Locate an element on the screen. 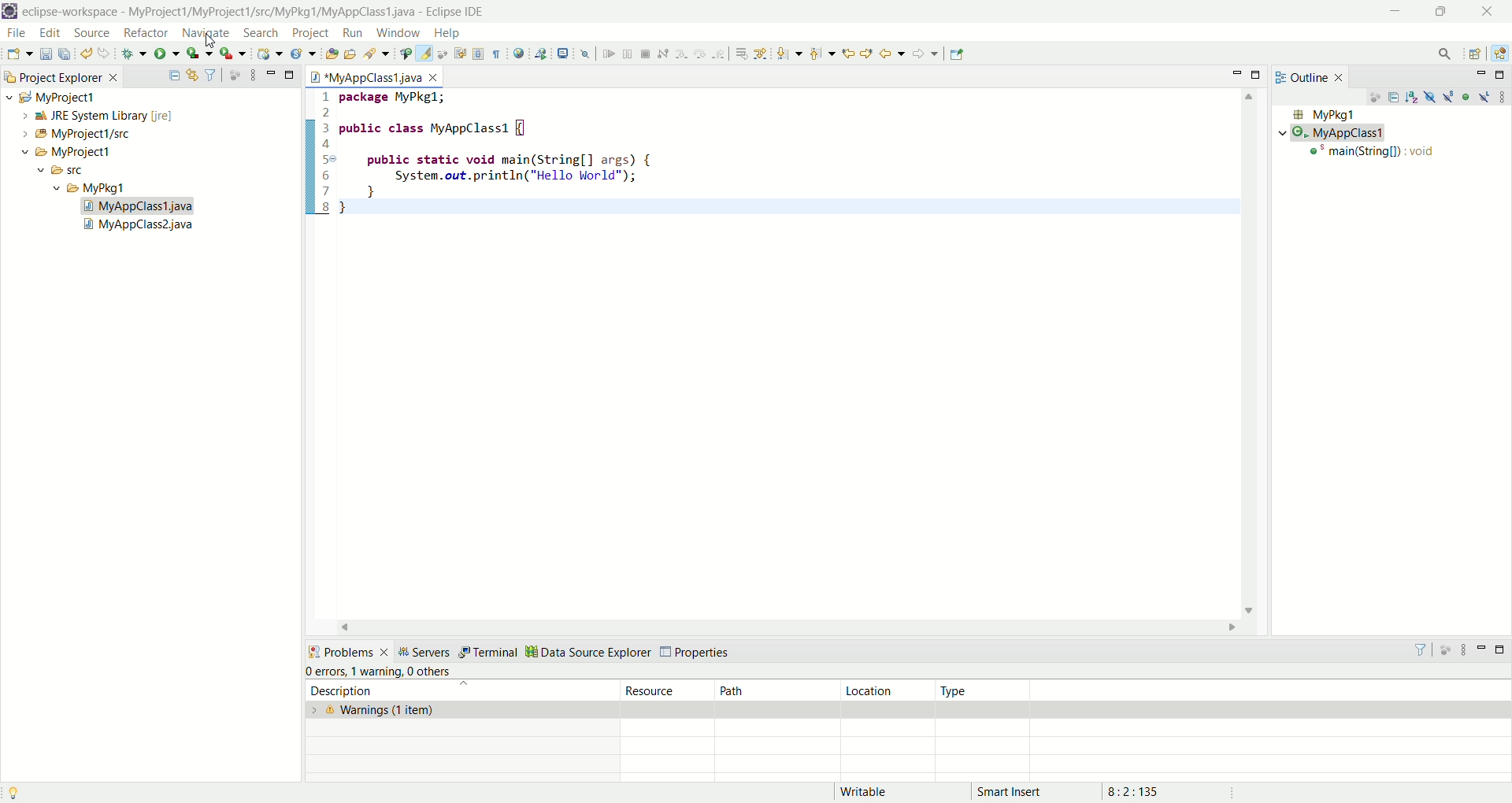 Image resolution: width=1512 pixels, height=803 pixels. view menu is located at coordinates (252, 74).